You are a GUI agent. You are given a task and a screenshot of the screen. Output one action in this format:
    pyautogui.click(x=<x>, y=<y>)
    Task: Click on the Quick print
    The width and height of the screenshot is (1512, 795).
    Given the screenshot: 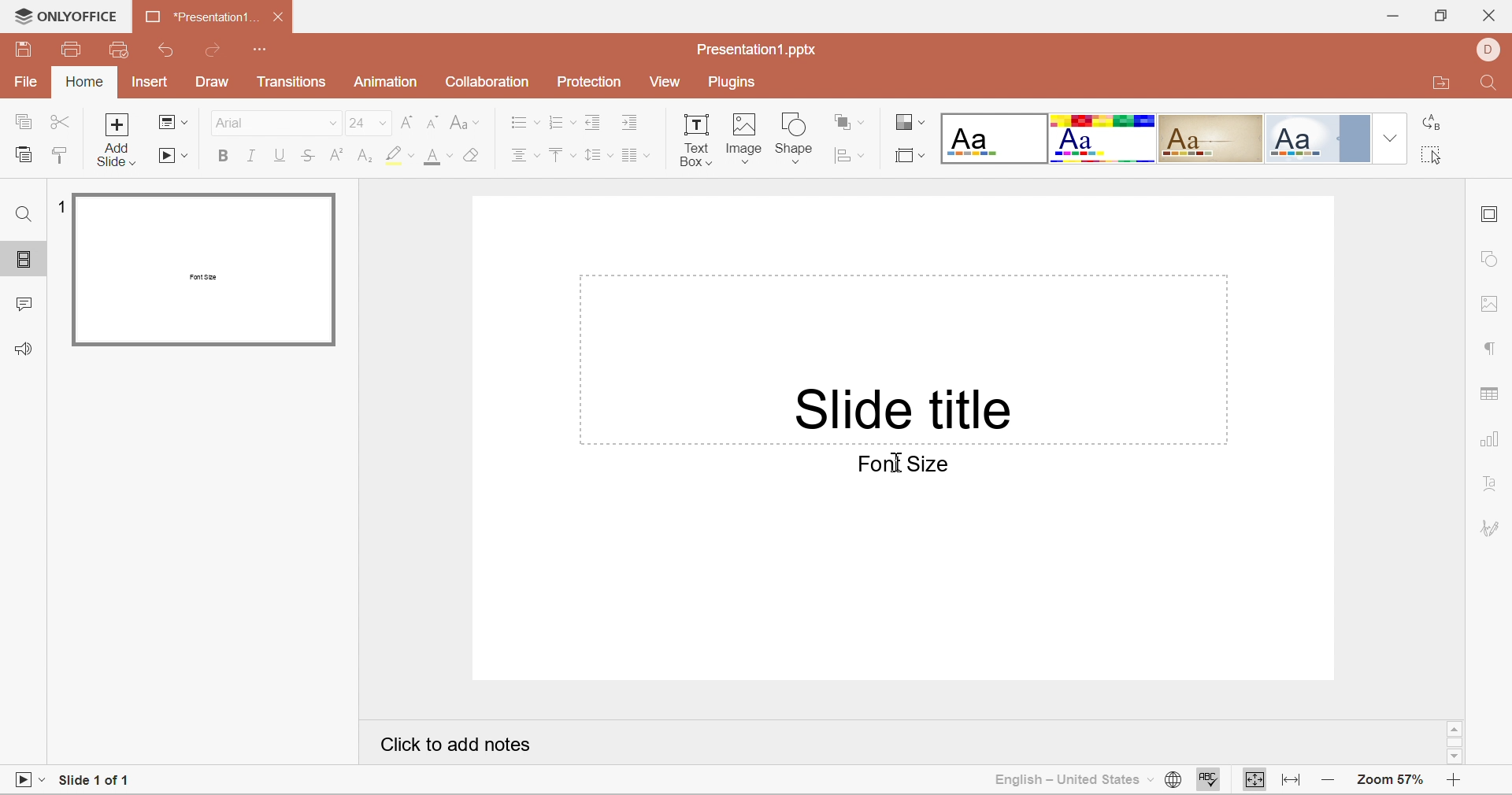 What is the action you would take?
    pyautogui.click(x=119, y=48)
    